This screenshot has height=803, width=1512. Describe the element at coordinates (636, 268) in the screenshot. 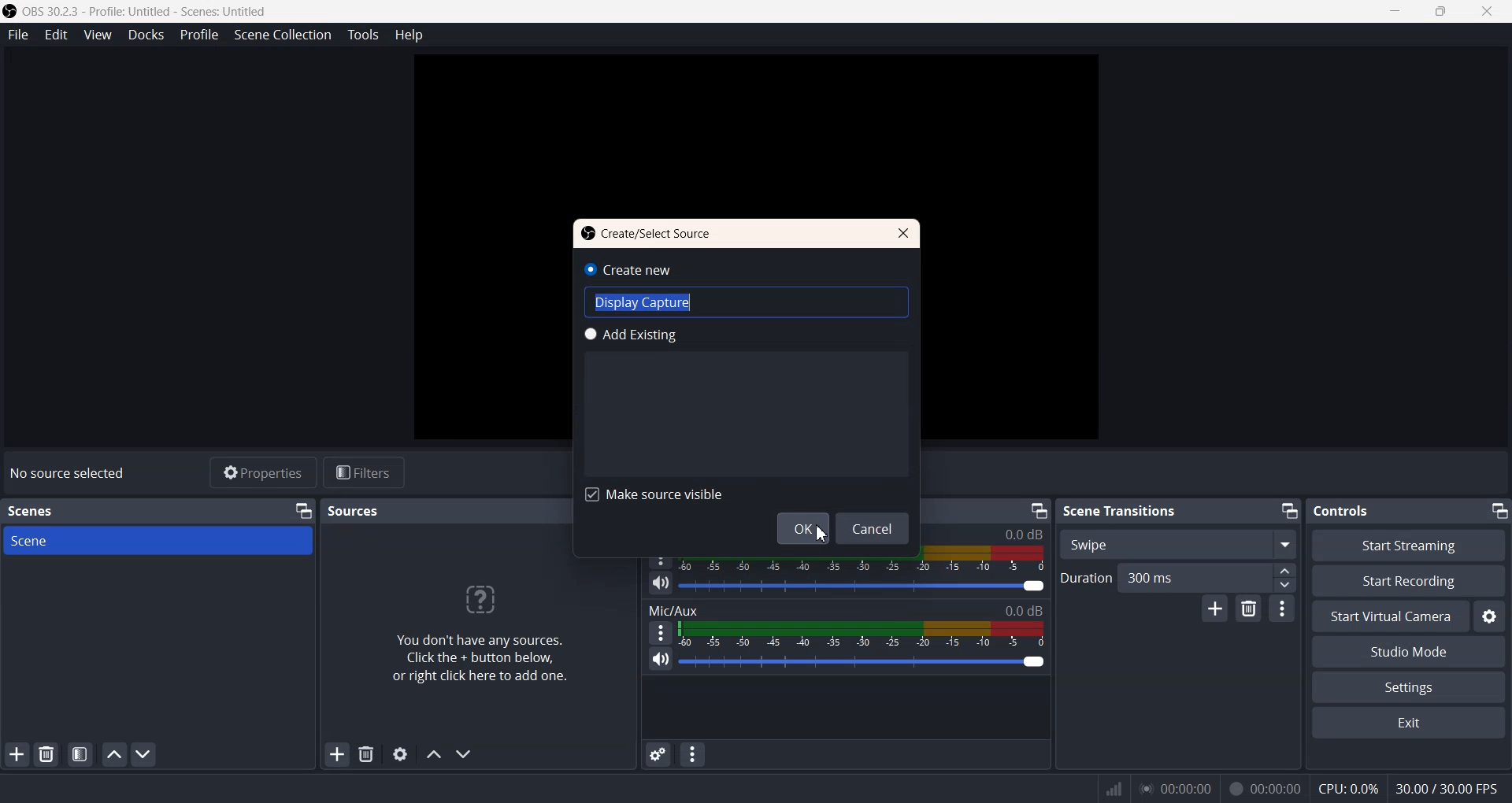

I see `Create New` at that location.